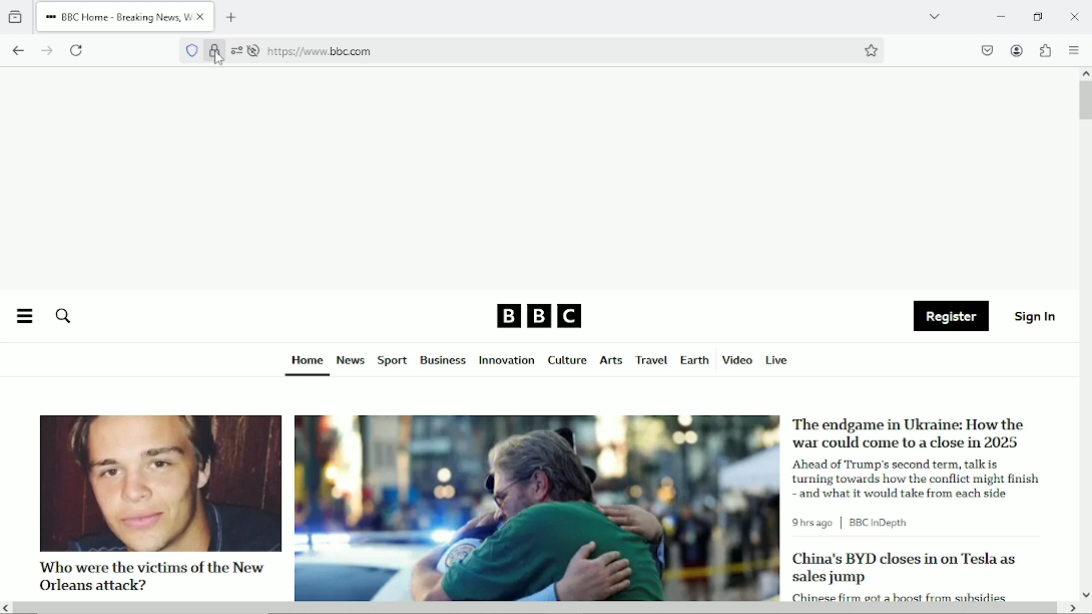 The image size is (1092, 614). I want to click on Travel, so click(649, 360).